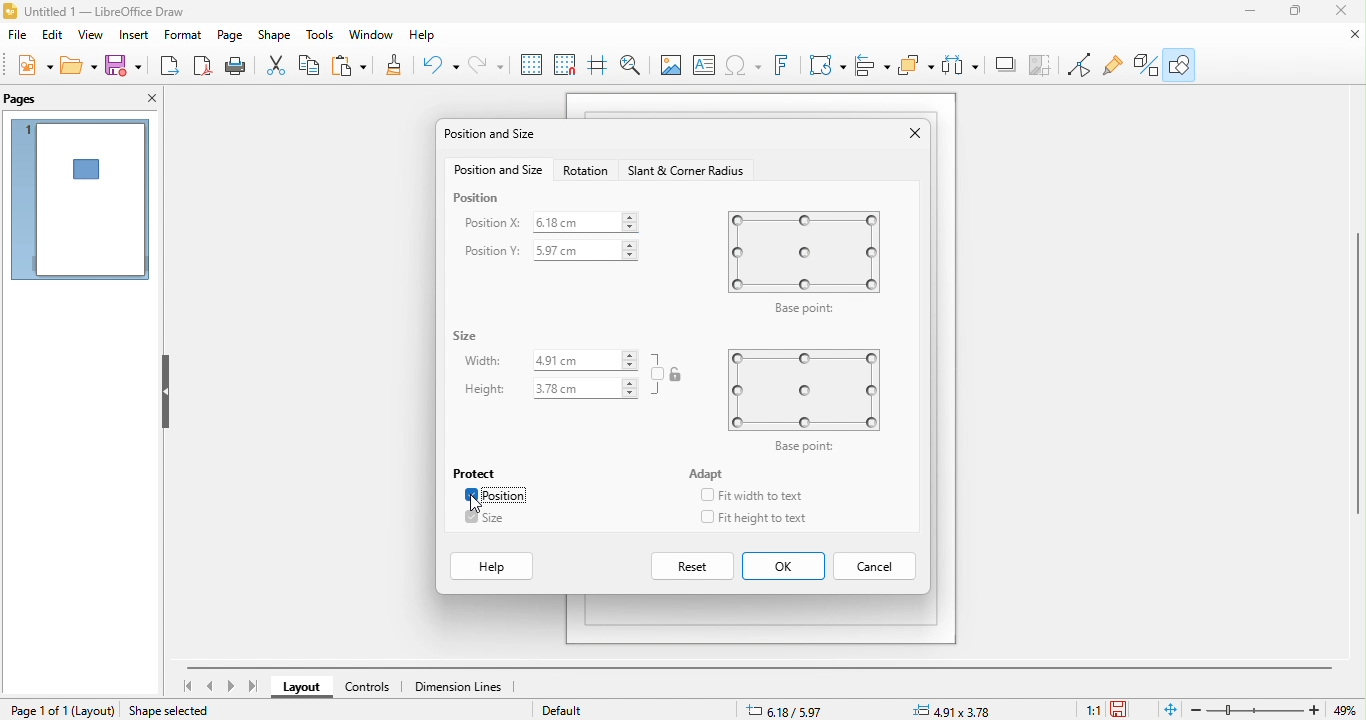  What do you see at coordinates (275, 37) in the screenshot?
I see `shape` at bounding box center [275, 37].